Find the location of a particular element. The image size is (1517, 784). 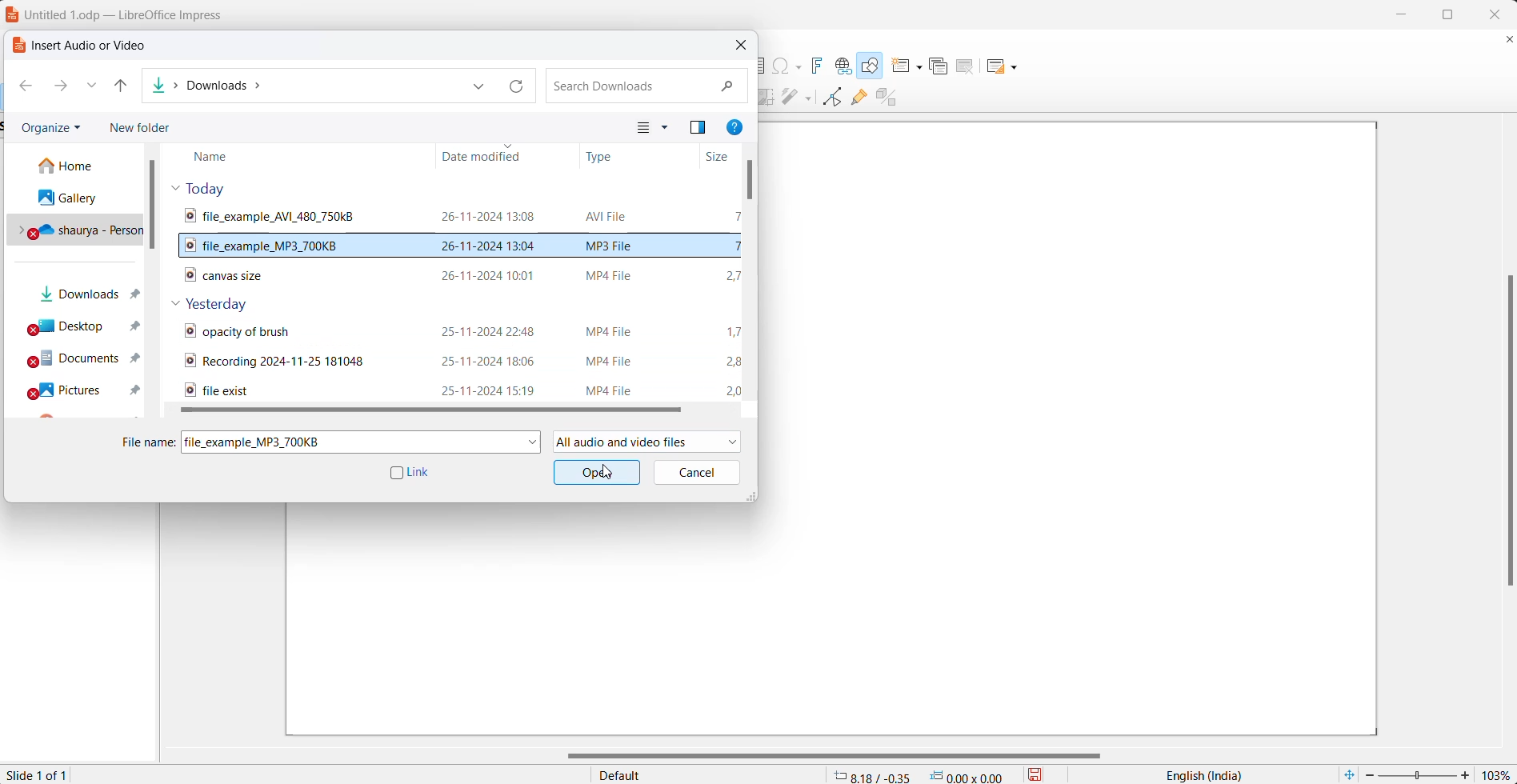

filter options is located at coordinates (808, 100).